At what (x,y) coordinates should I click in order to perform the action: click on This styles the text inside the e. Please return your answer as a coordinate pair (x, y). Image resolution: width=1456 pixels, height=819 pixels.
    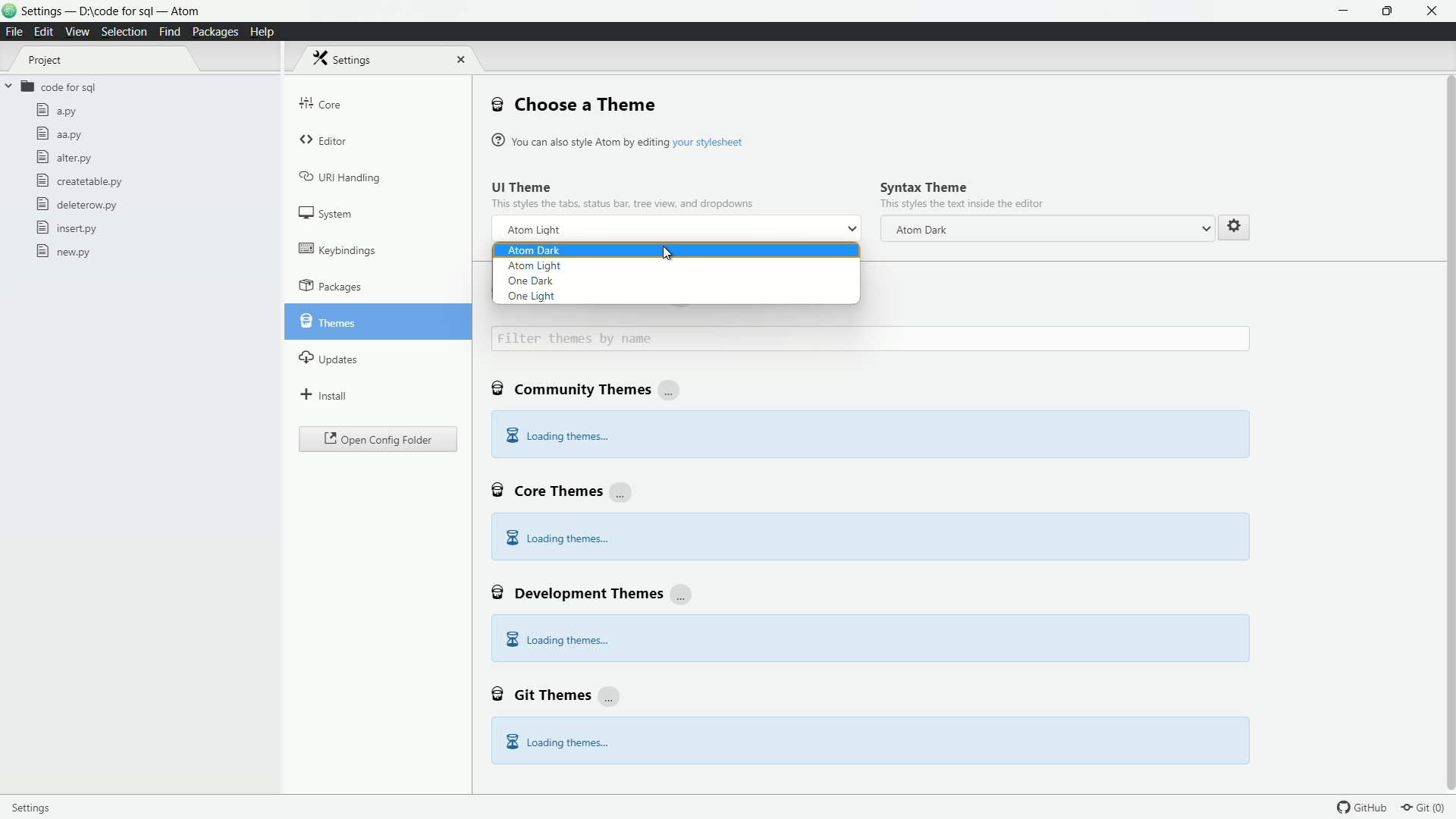
    Looking at the image, I should click on (623, 202).